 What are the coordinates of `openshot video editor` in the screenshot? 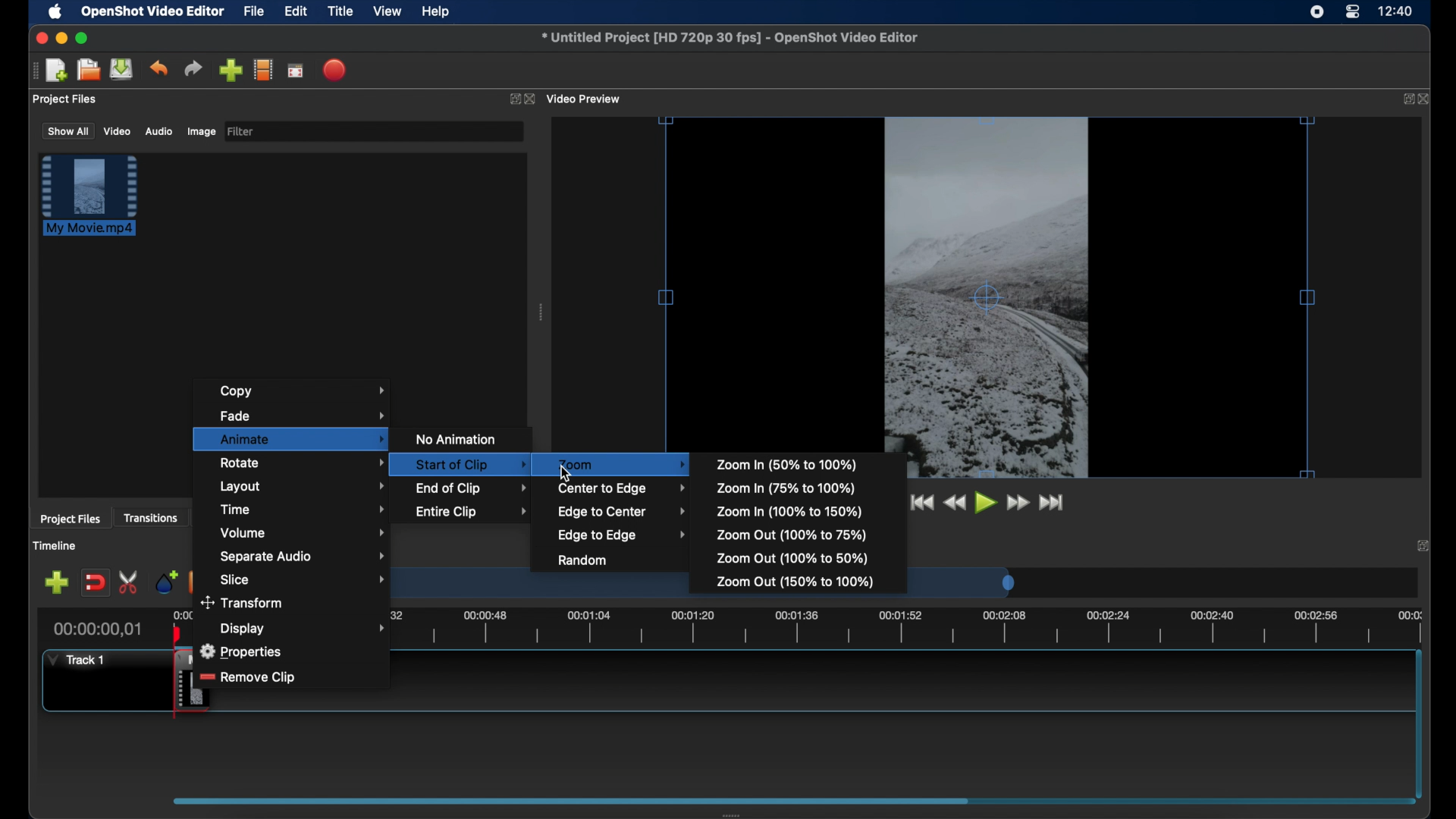 It's located at (154, 12).